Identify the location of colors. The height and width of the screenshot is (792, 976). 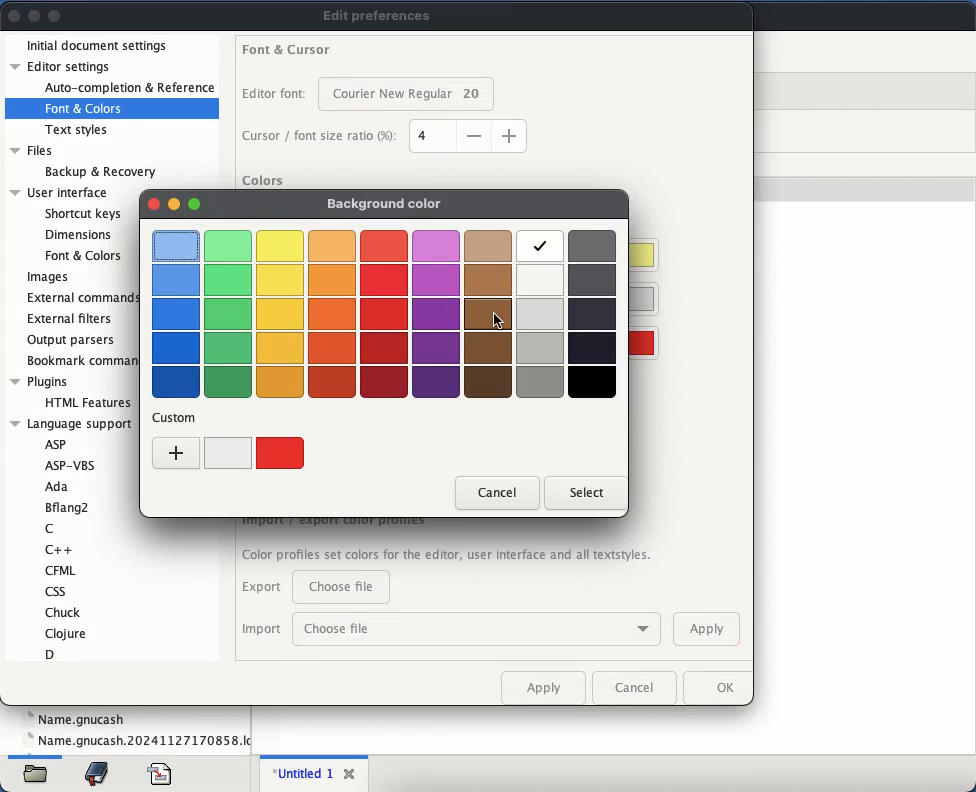
(263, 182).